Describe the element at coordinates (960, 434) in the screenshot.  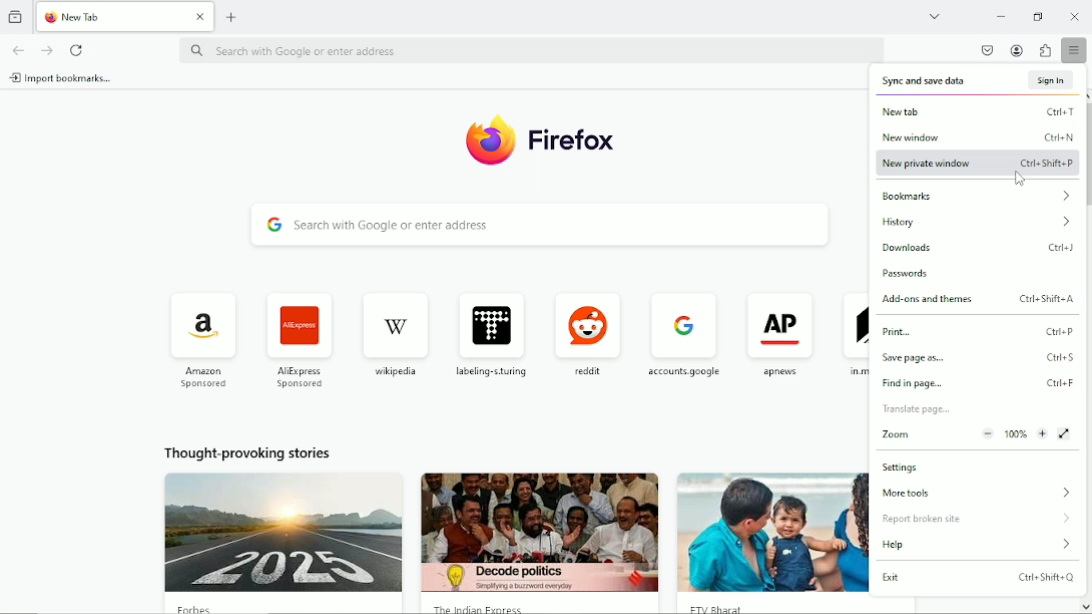
I see `zoom` at that location.